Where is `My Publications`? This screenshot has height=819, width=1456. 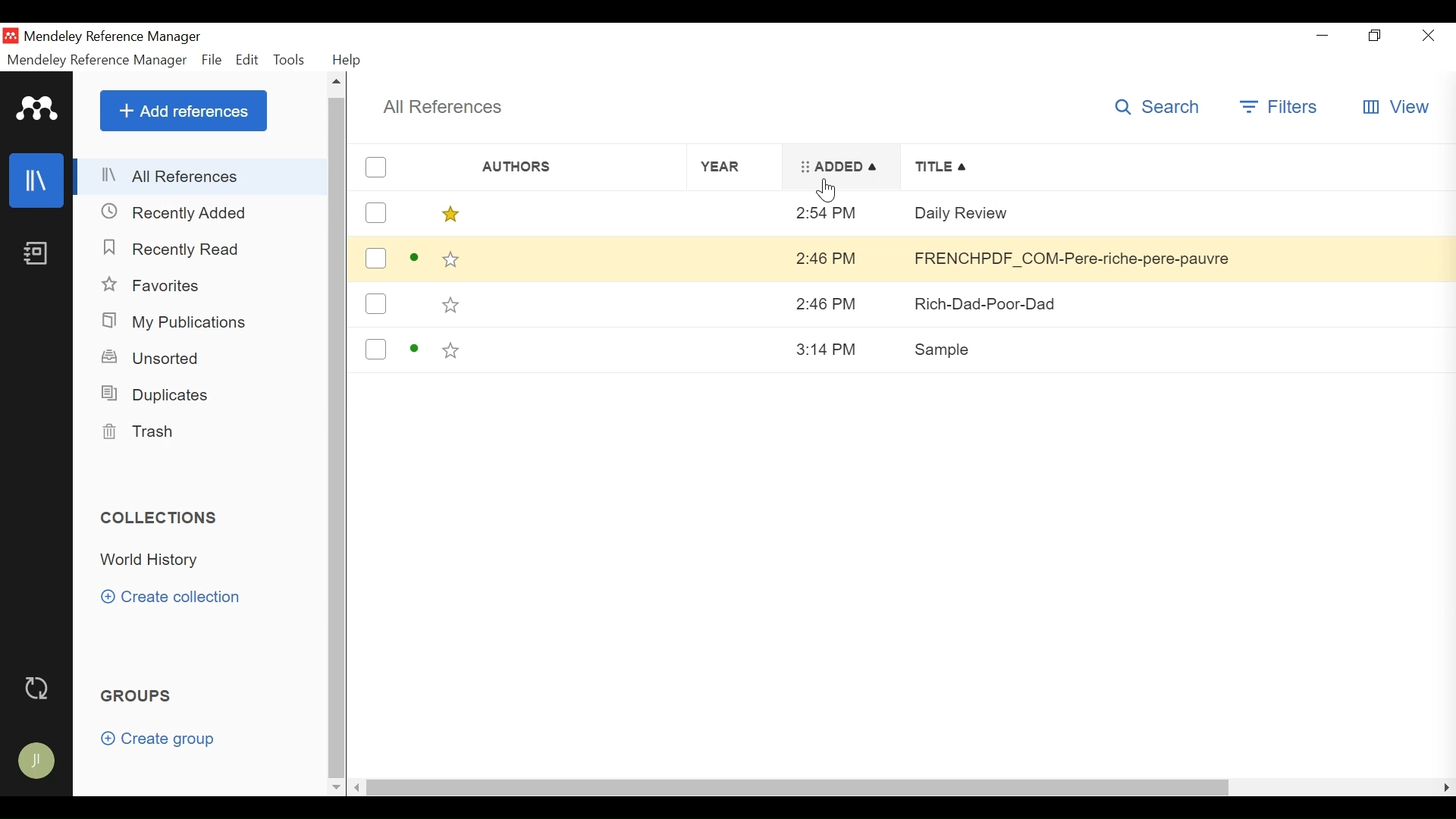
My Publications is located at coordinates (179, 322).